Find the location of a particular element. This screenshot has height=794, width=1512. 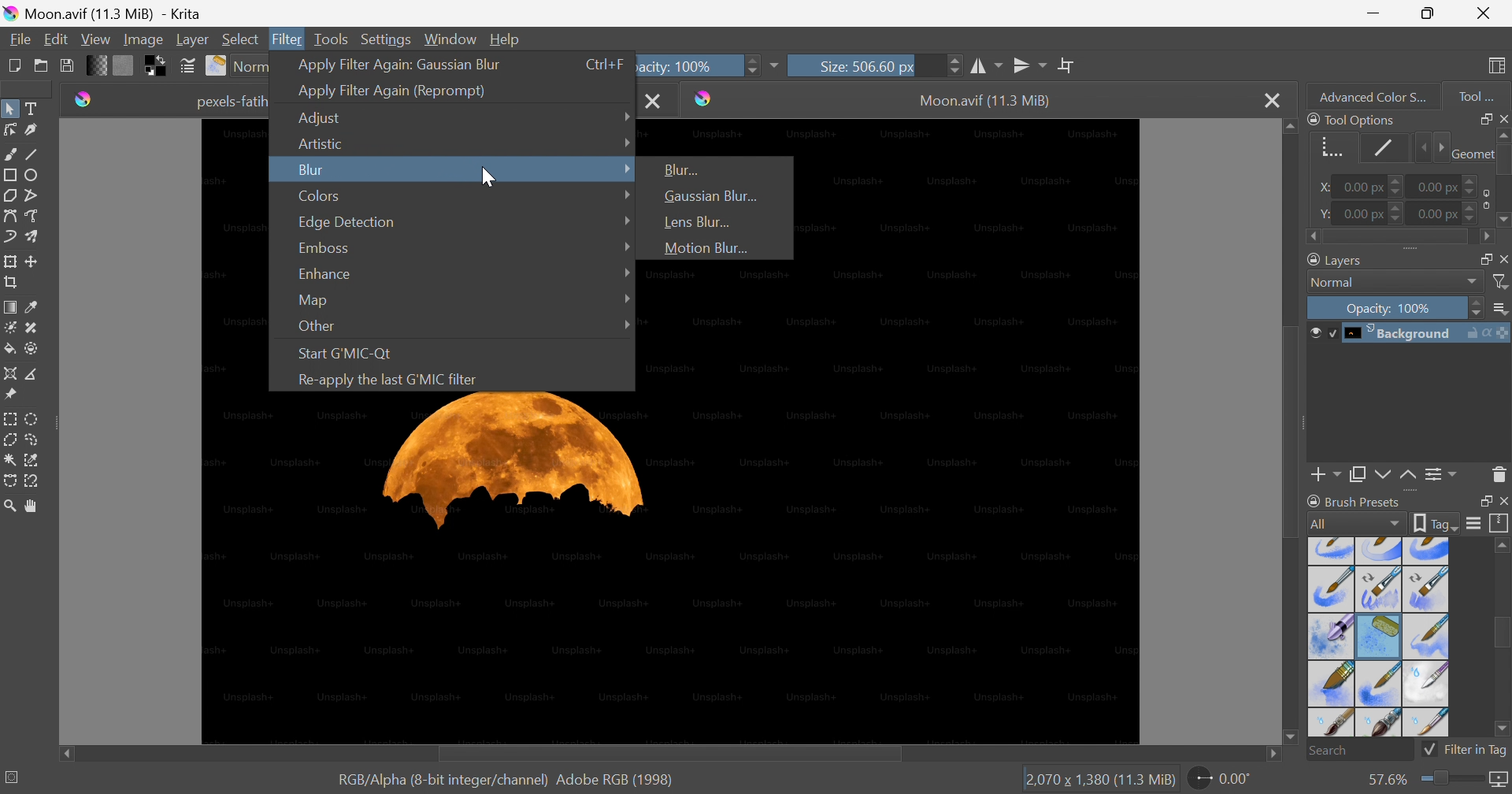

Drop Down is located at coordinates (624, 324).